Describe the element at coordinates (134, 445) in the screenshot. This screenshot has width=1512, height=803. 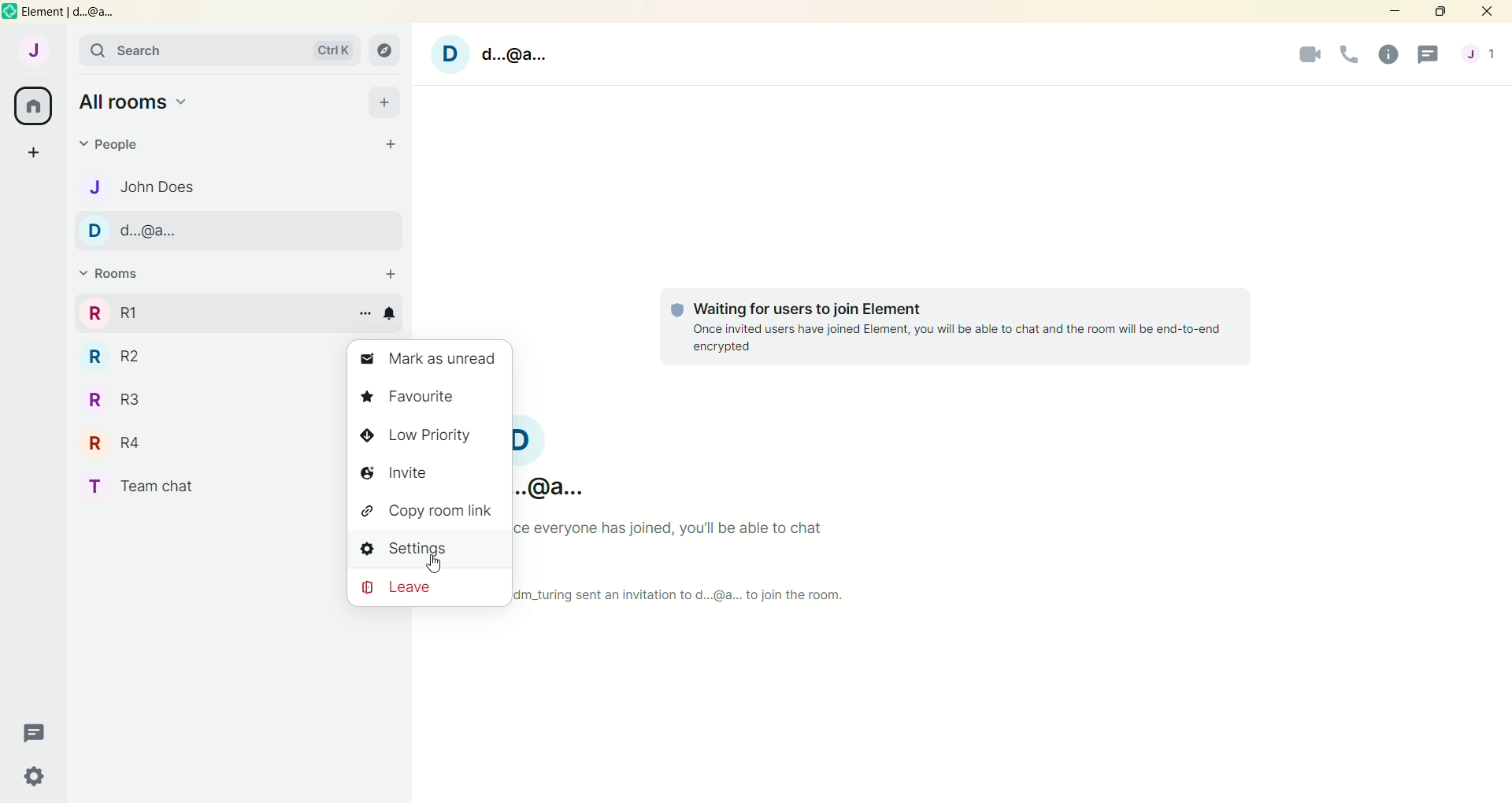
I see `R R4` at that location.